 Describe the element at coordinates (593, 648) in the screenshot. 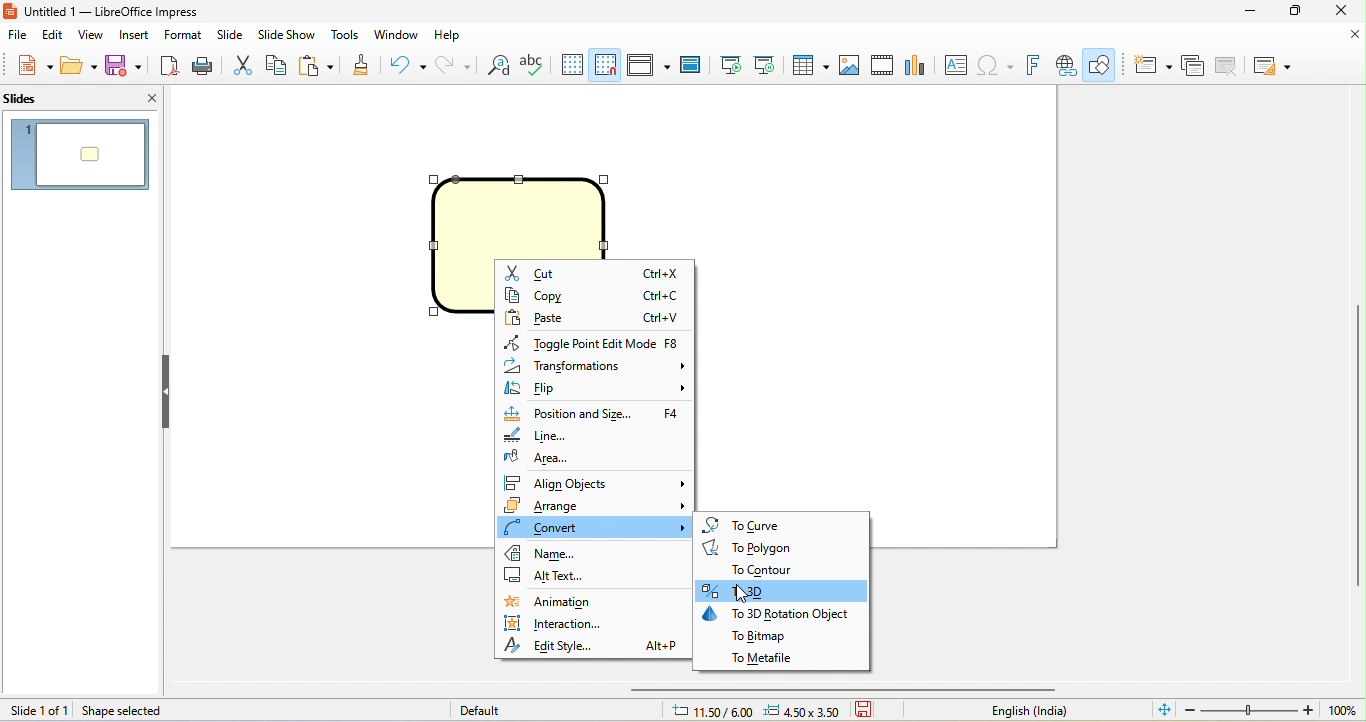

I see `edit style` at that location.